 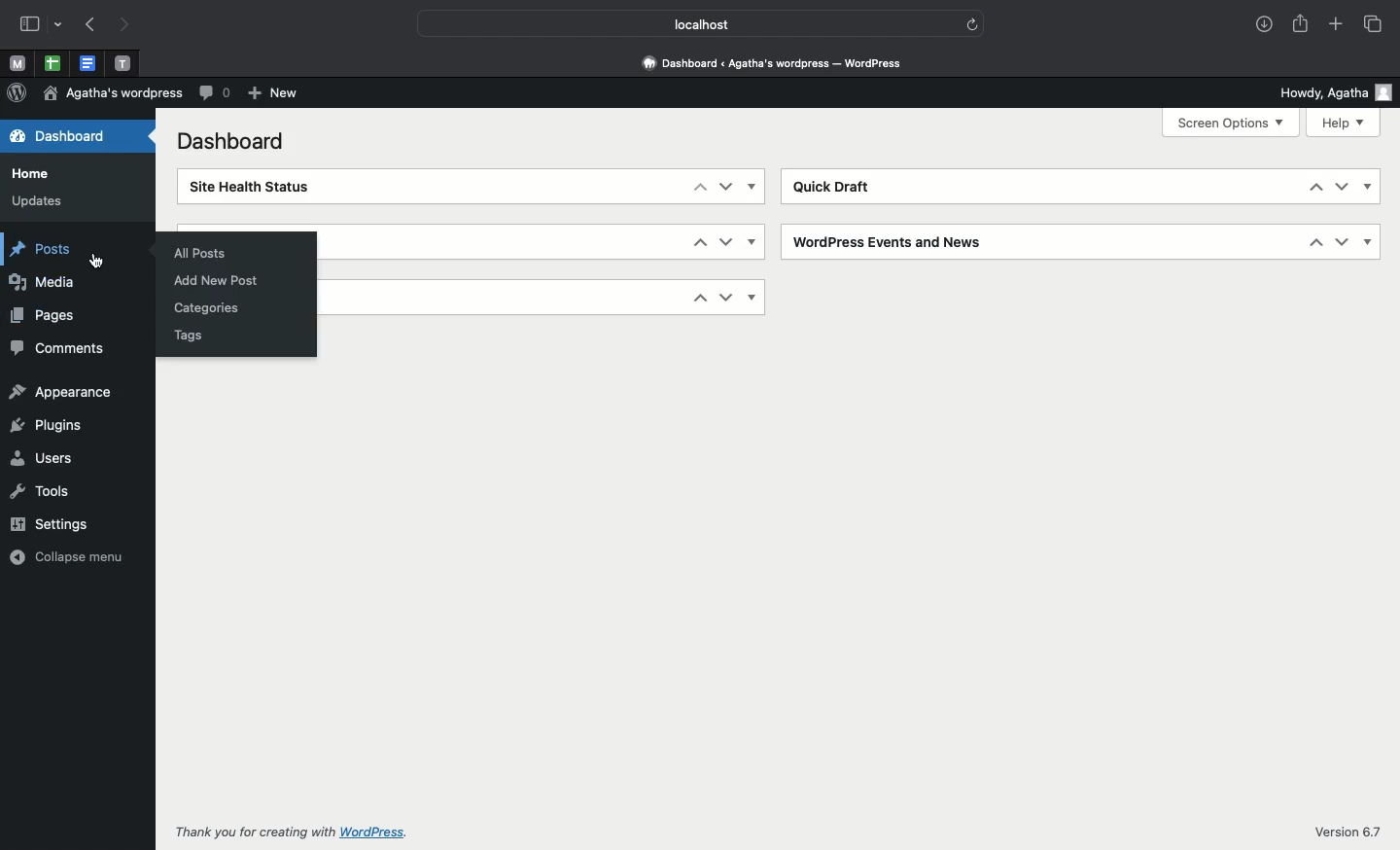 What do you see at coordinates (727, 242) in the screenshot?
I see `Down` at bounding box center [727, 242].